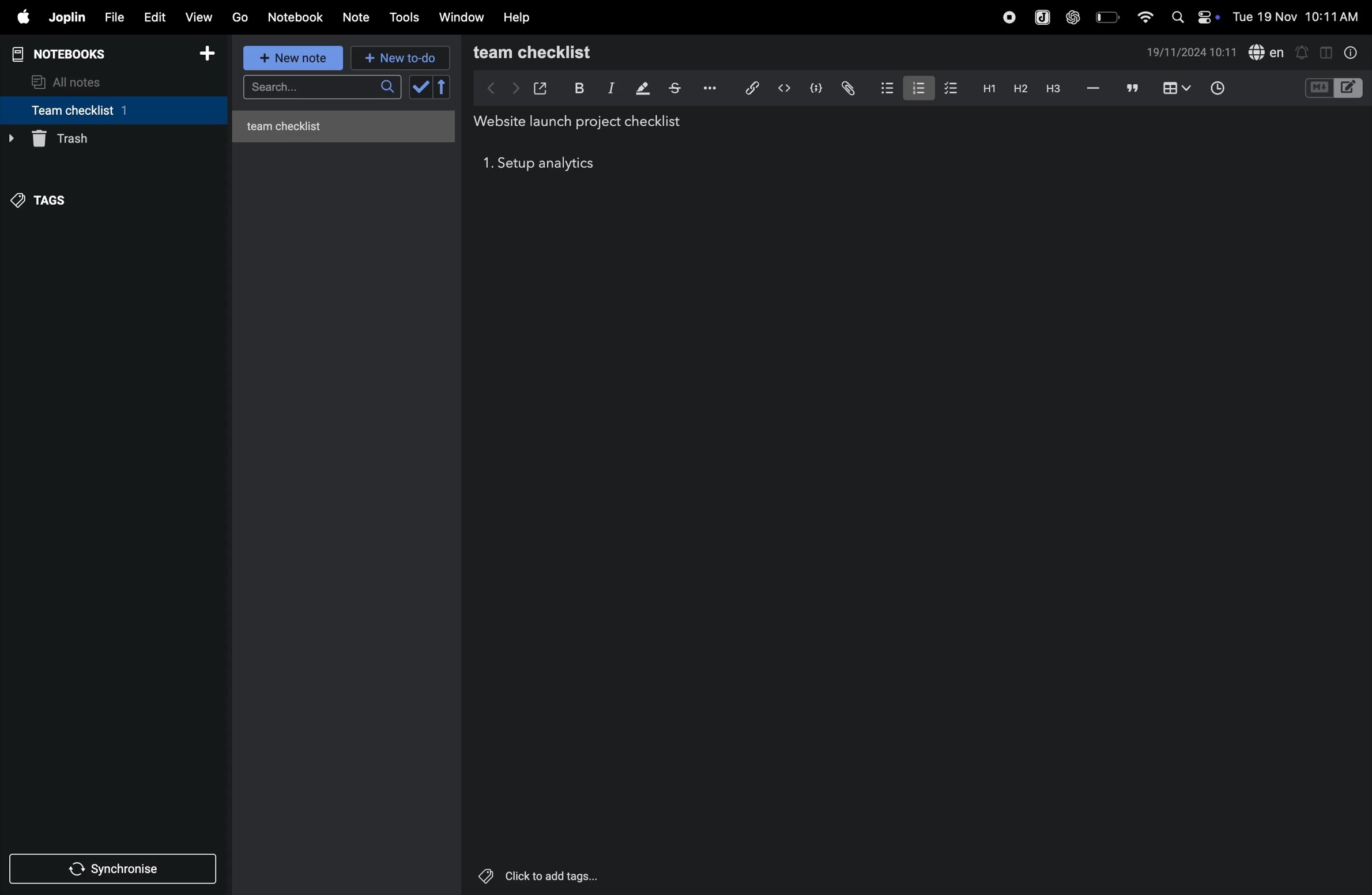  What do you see at coordinates (512, 88) in the screenshot?
I see `forward` at bounding box center [512, 88].